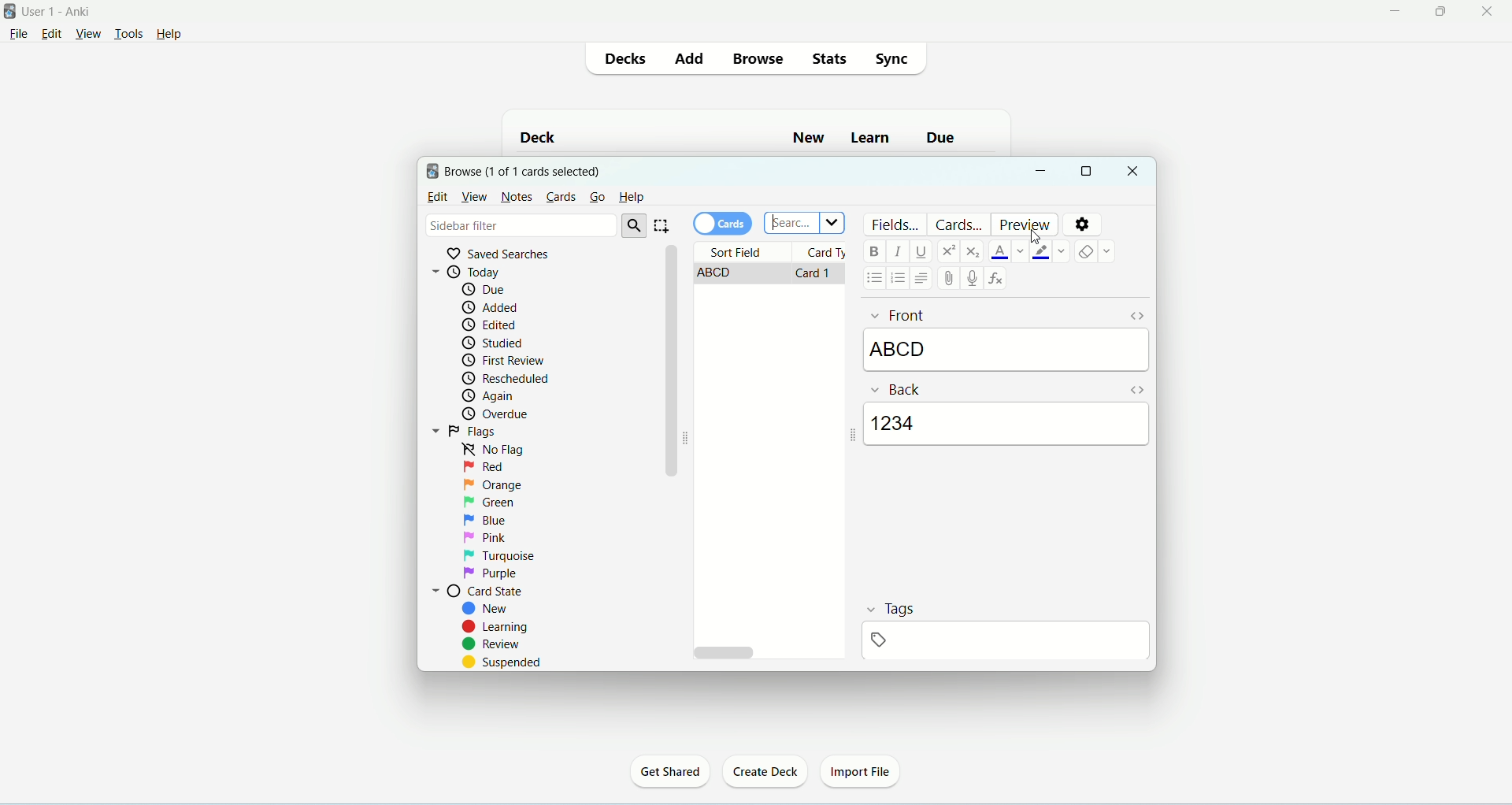 This screenshot has width=1512, height=805. I want to click on audio record, so click(974, 279).